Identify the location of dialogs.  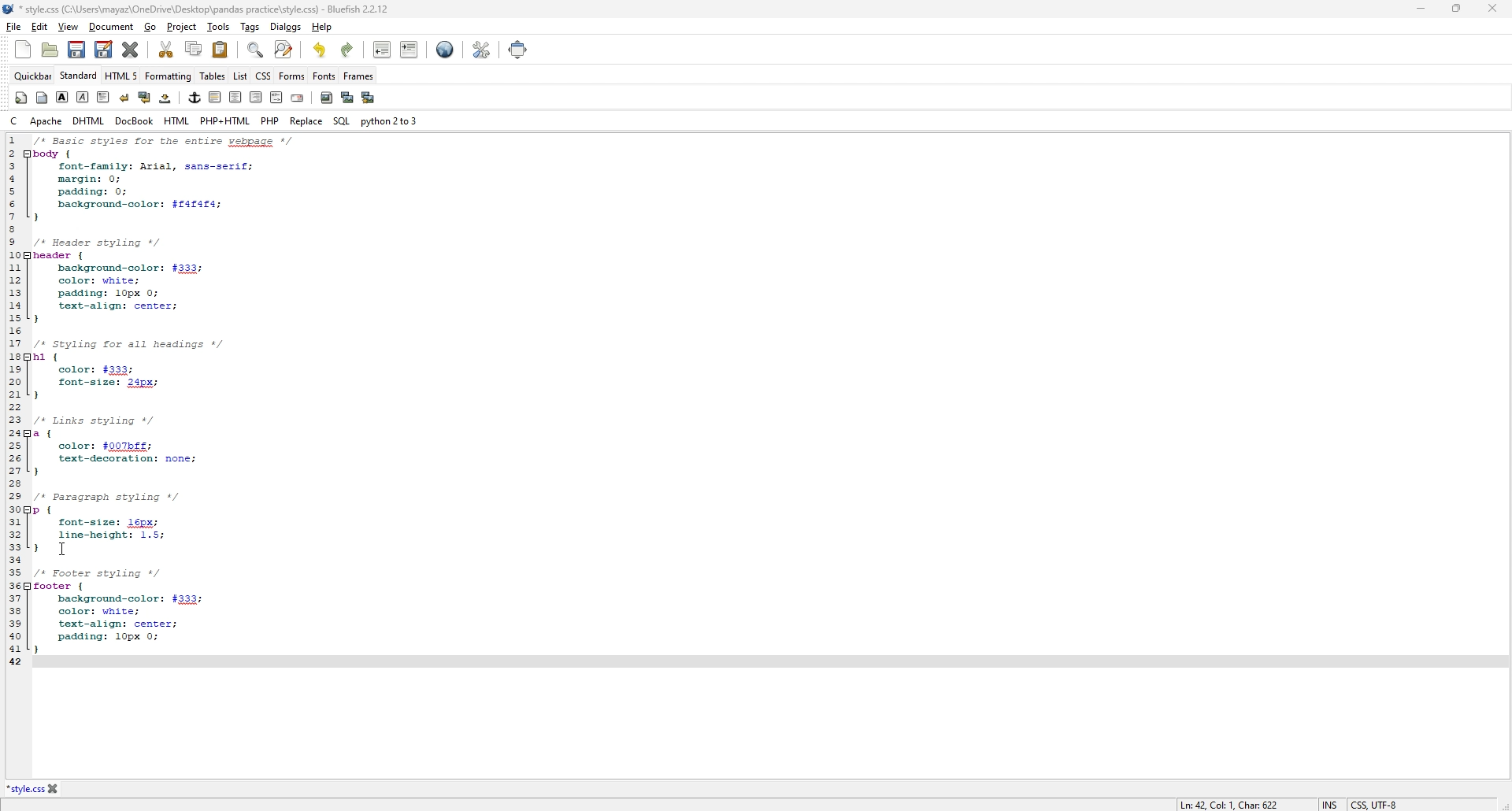
(285, 26).